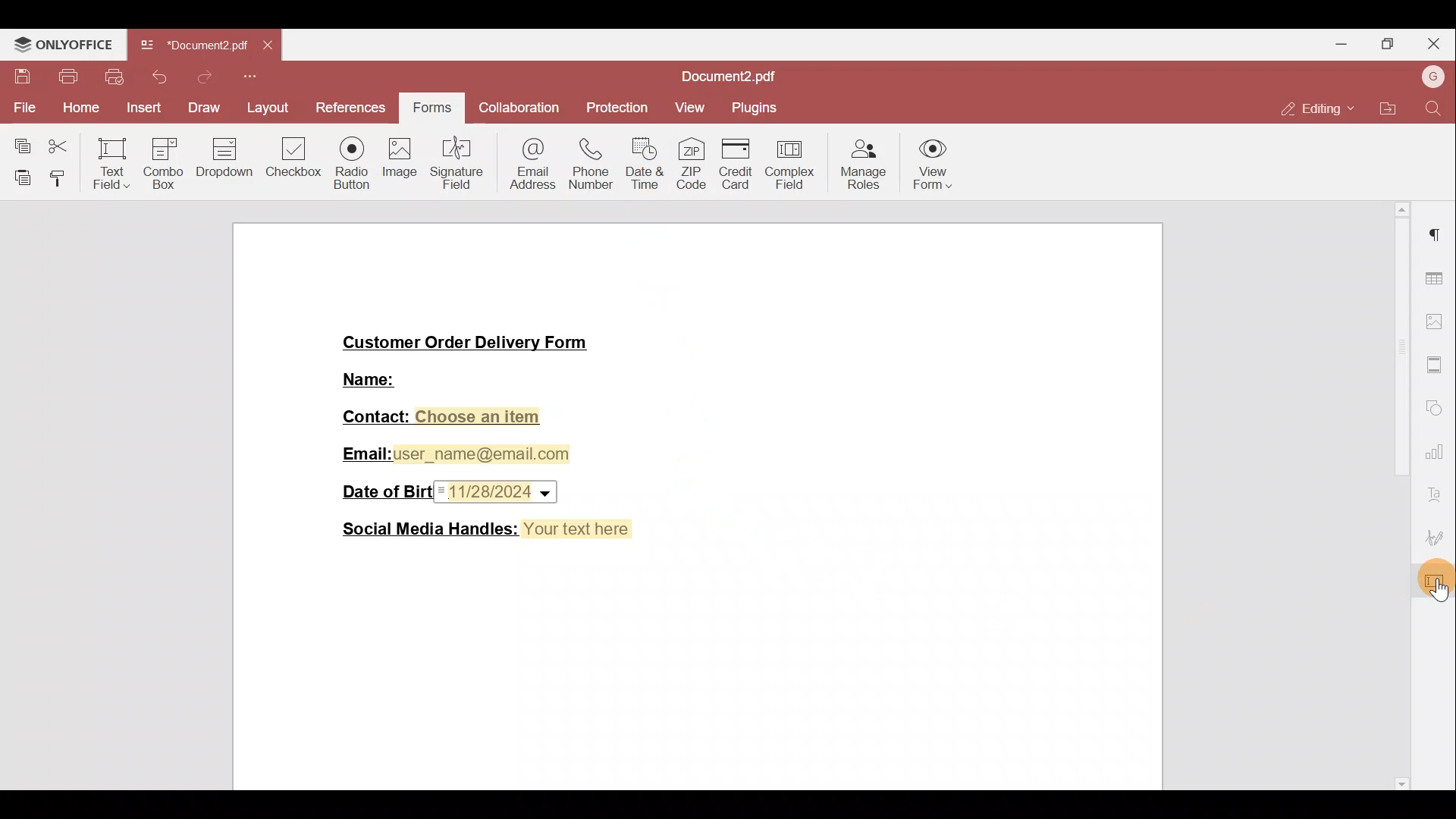 This screenshot has width=1456, height=819. What do you see at coordinates (202, 107) in the screenshot?
I see `Draw` at bounding box center [202, 107].